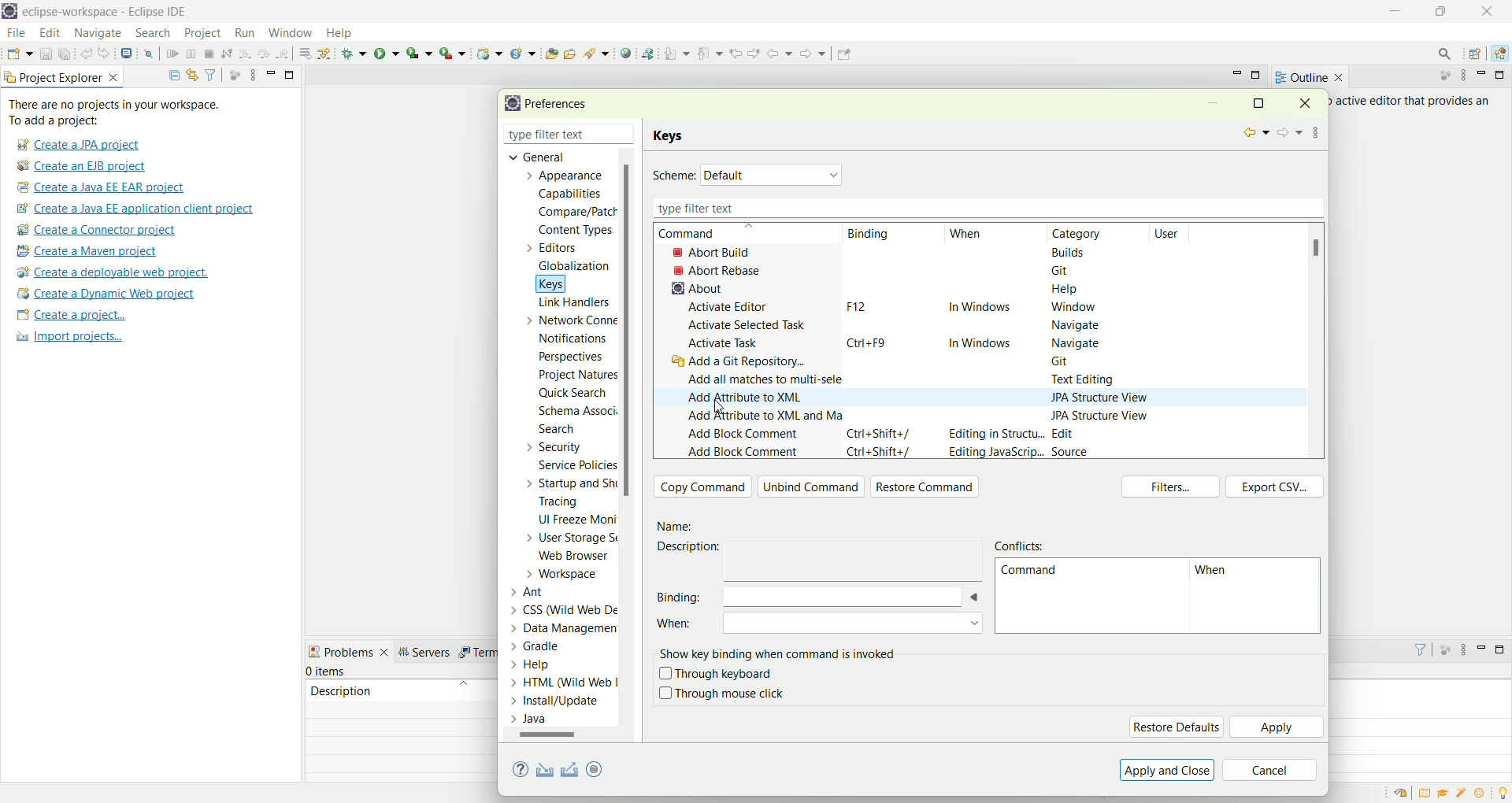 The width and height of the screenshot is (1512, 803). Describe the element at coordinates (721, 694) in the screenshot. I see `through mouse click` at that location.